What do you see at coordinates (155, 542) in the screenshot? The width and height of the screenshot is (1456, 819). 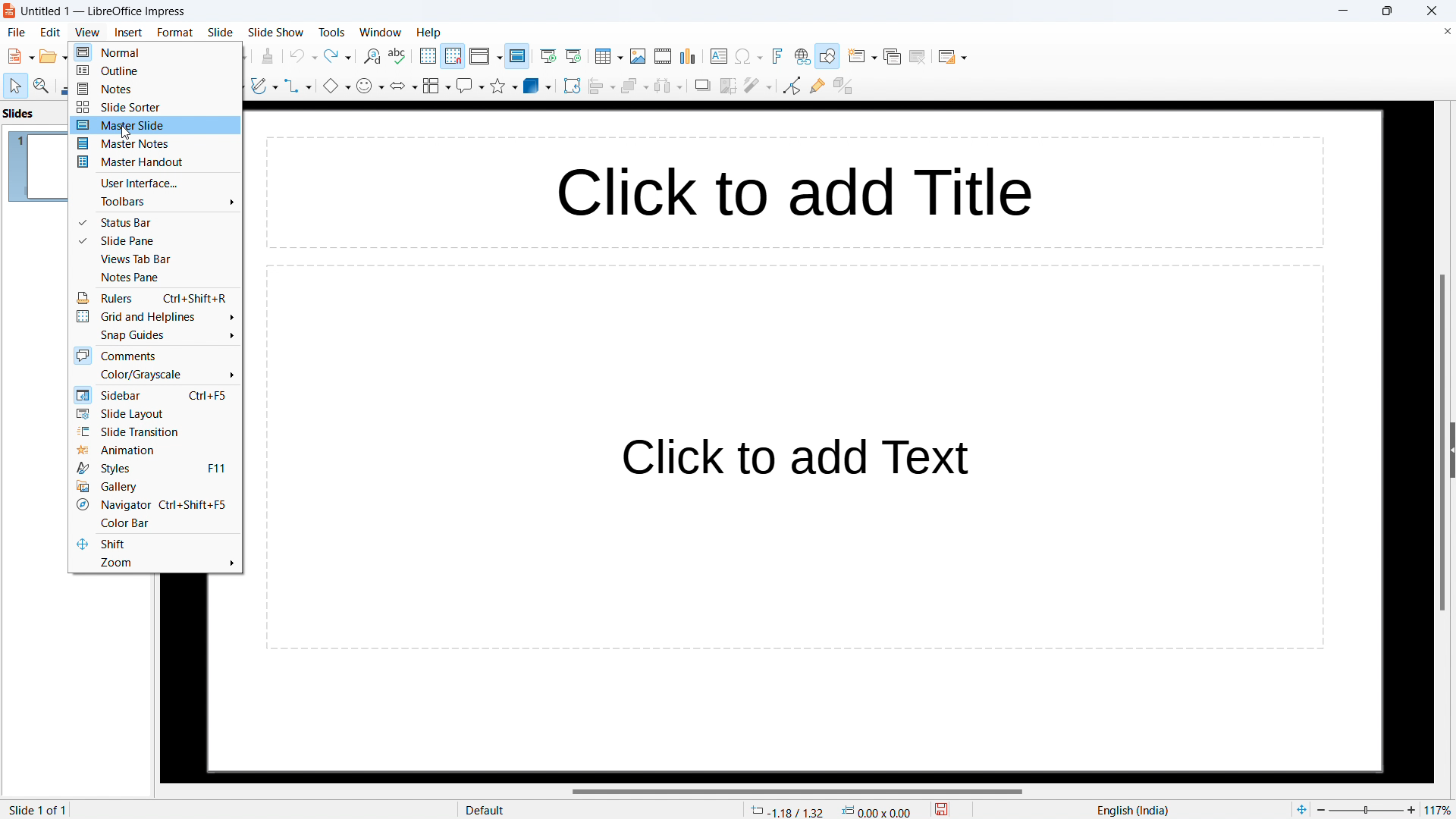 I see `shift` at bounding box center [155, 542].